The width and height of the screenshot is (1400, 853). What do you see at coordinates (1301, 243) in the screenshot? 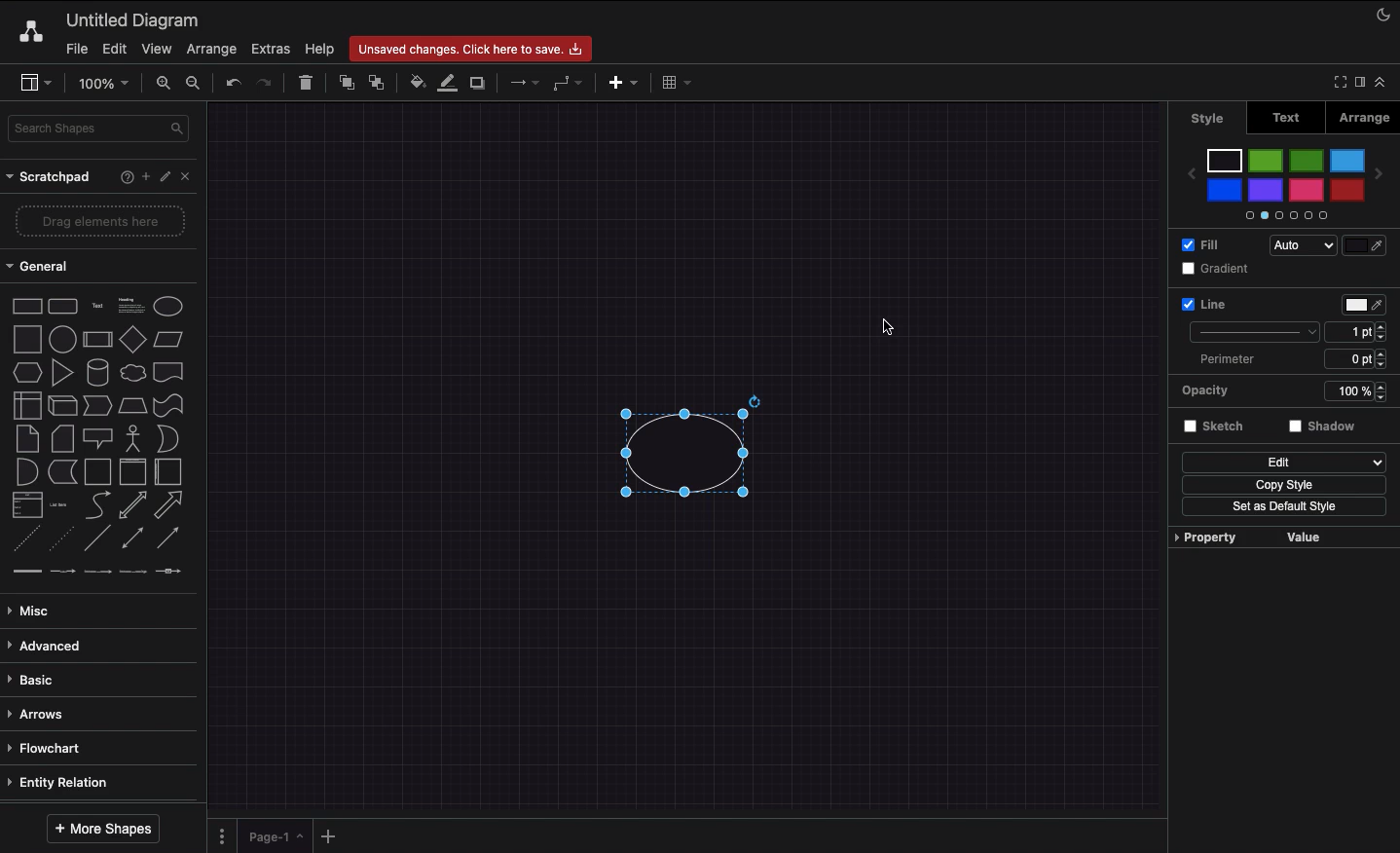
I see `Auto` at bounding box center [1301, 243].